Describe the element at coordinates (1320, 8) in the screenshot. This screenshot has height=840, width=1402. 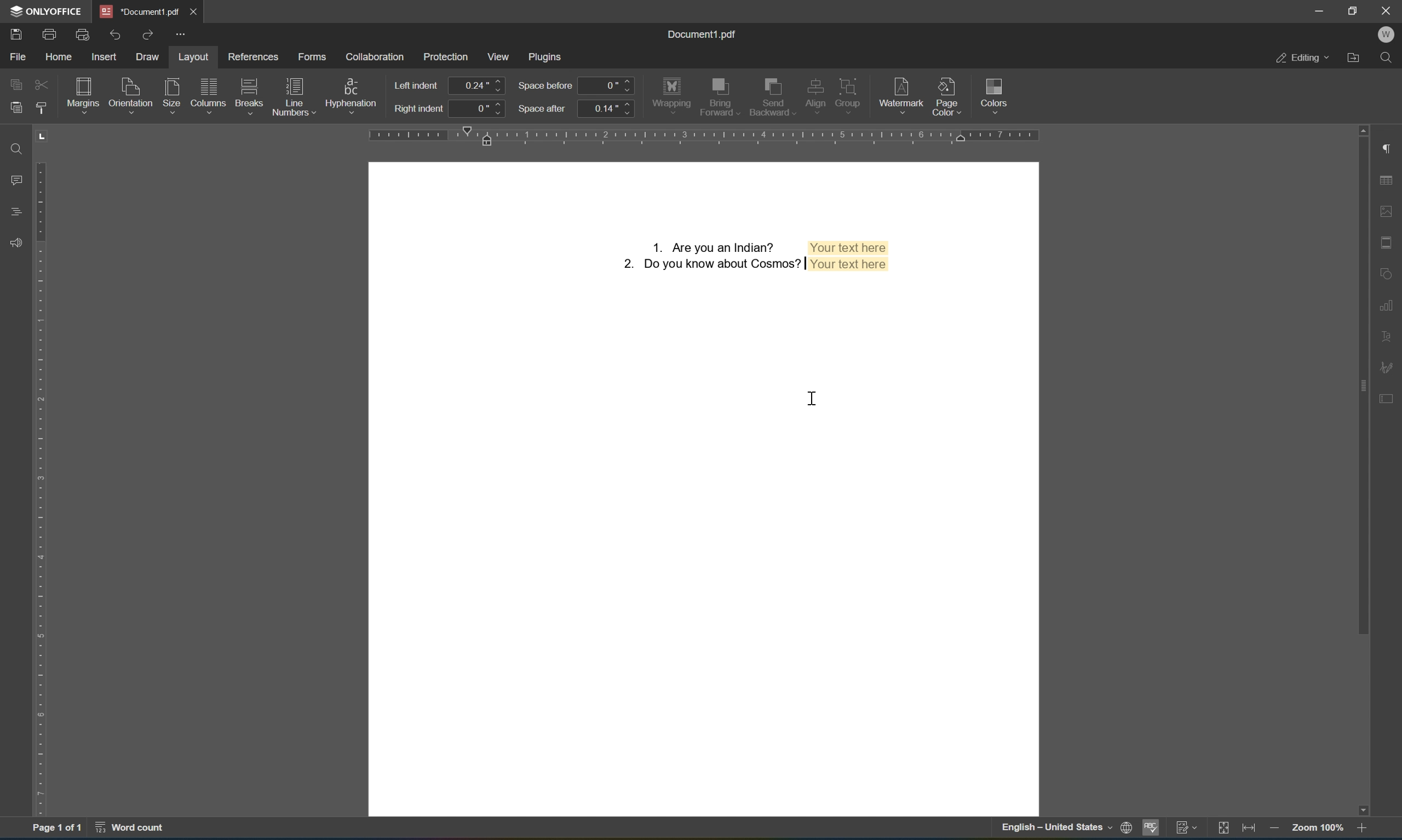
I see `minimize` at that location.